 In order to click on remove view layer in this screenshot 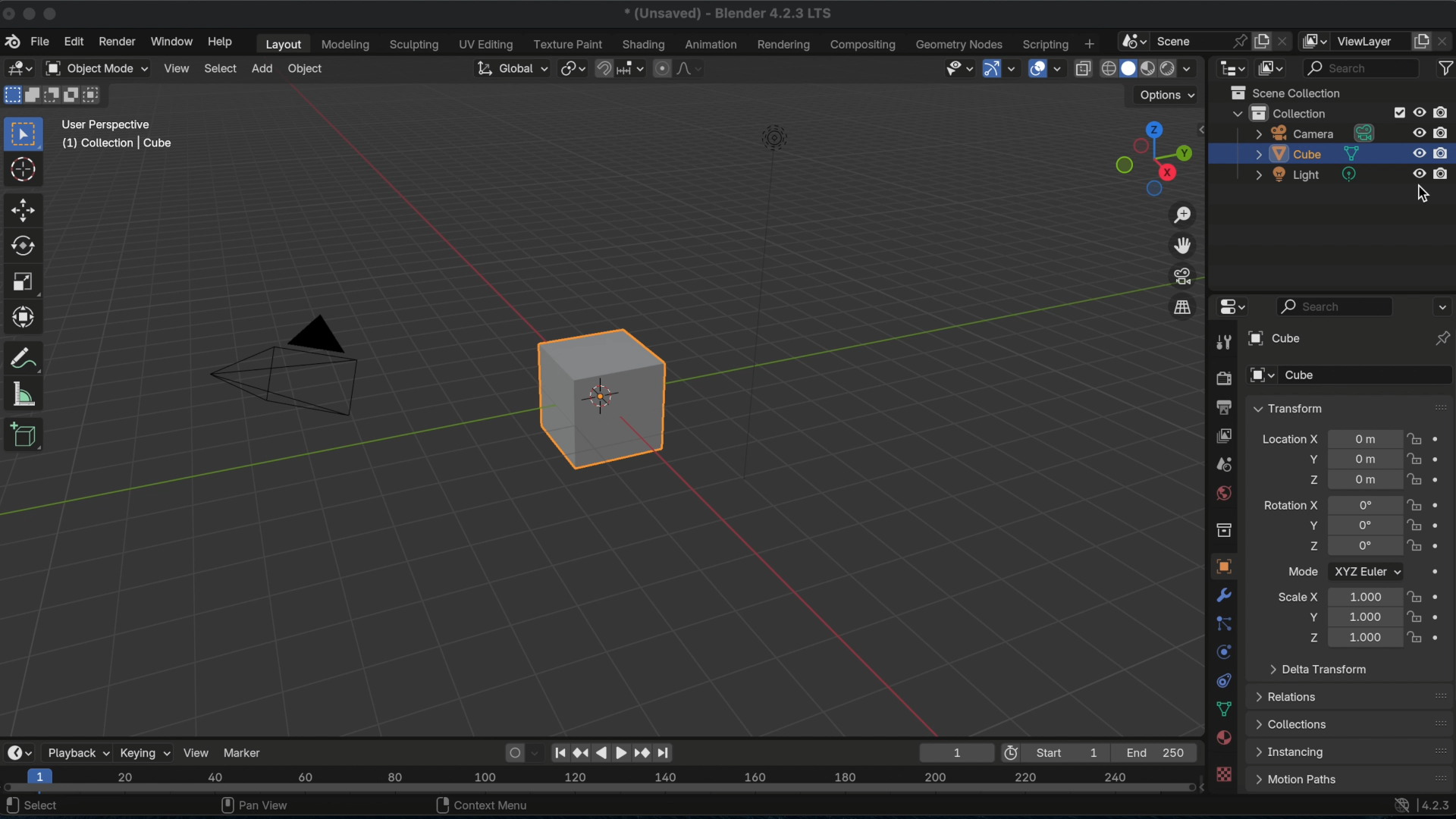, I will do `click(1445, 43)`.